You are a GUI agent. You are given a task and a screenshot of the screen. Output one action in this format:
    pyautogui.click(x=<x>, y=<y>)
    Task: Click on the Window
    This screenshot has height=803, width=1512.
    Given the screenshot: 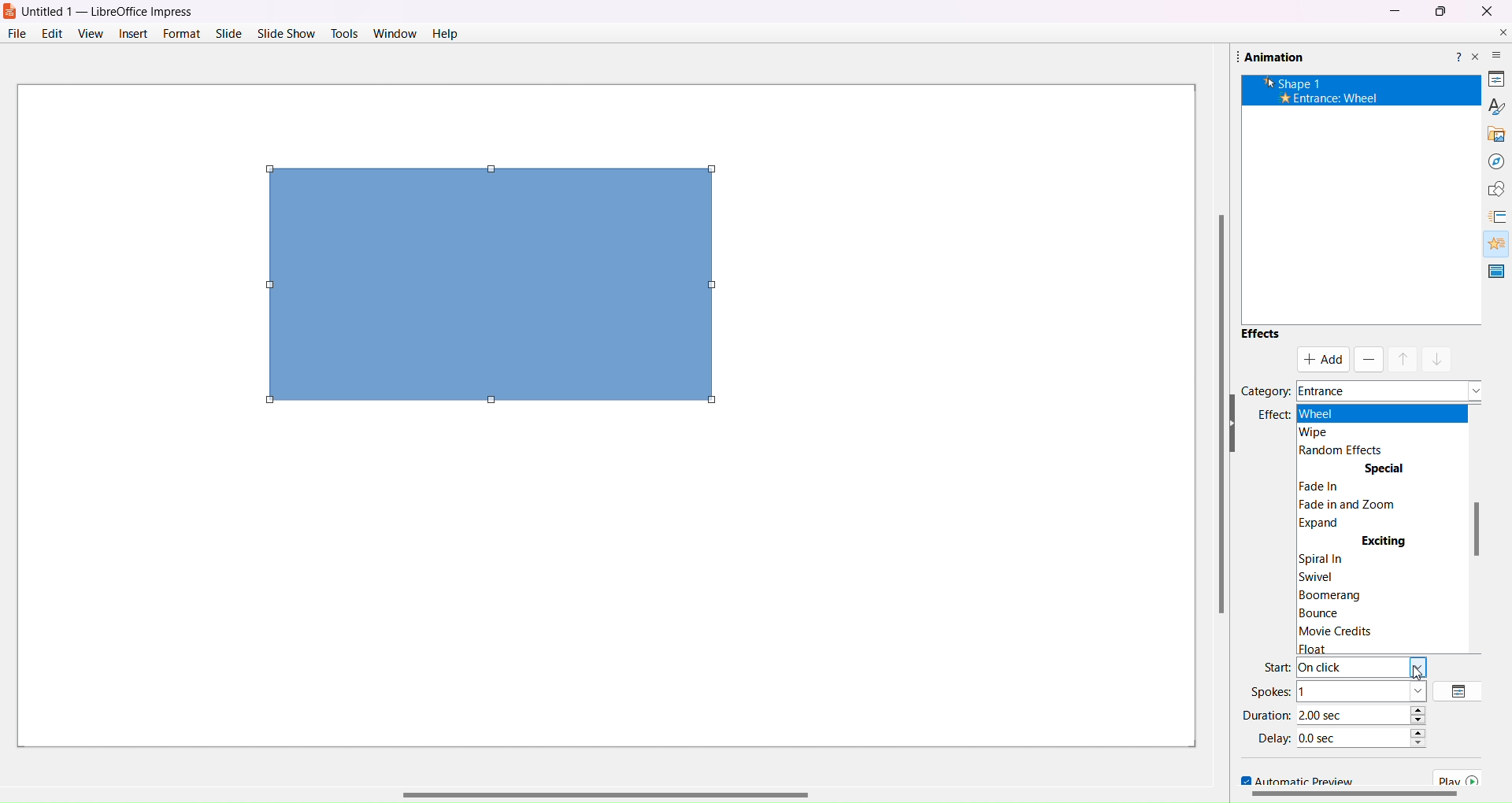 What is the action you would take?
    pyautogui.click(x=395, y=33)
    